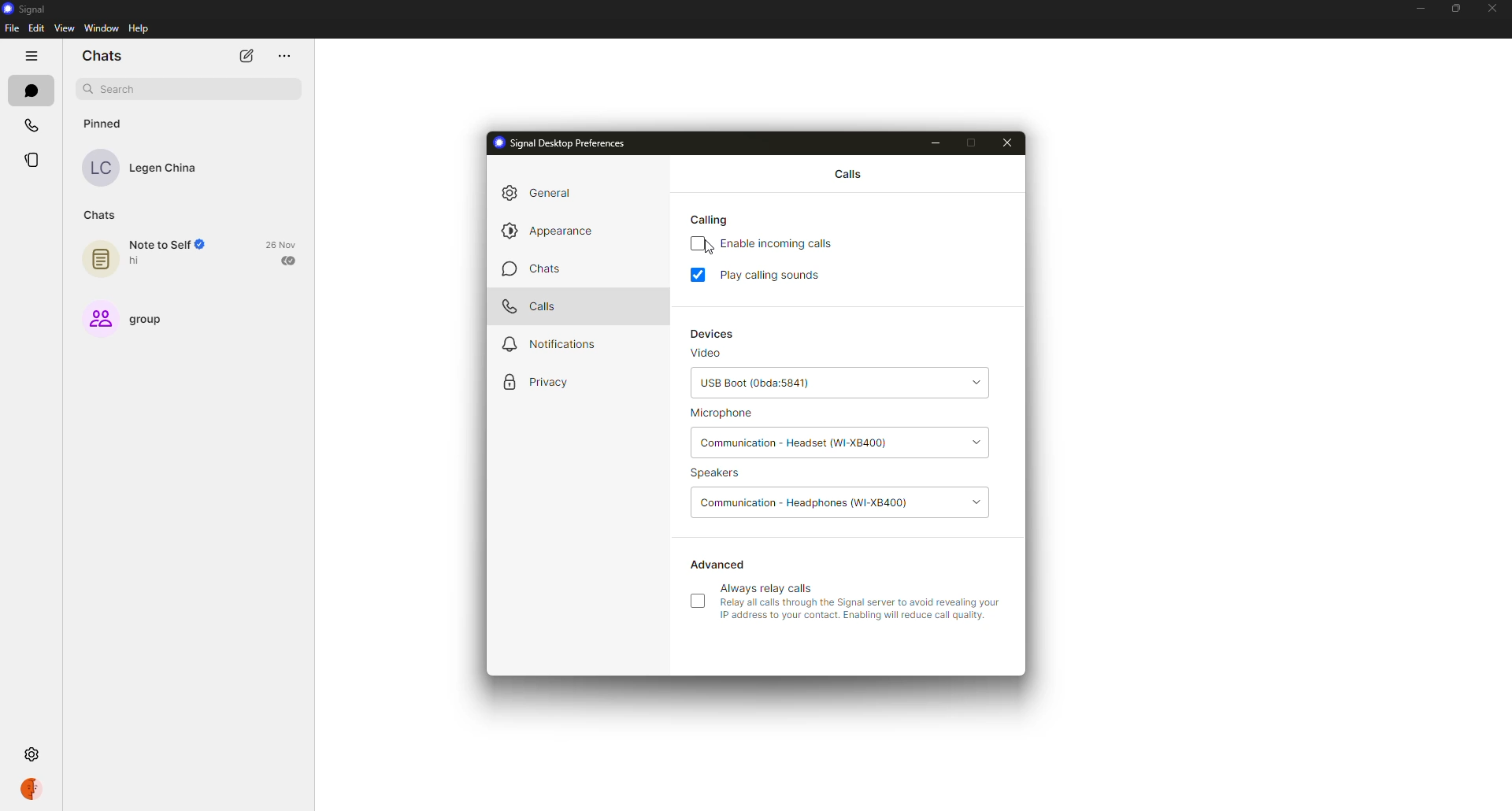  What do you see at coordinates (540, 382) in the screenshot?
I see `privacy` at bounding box center [540, 382].